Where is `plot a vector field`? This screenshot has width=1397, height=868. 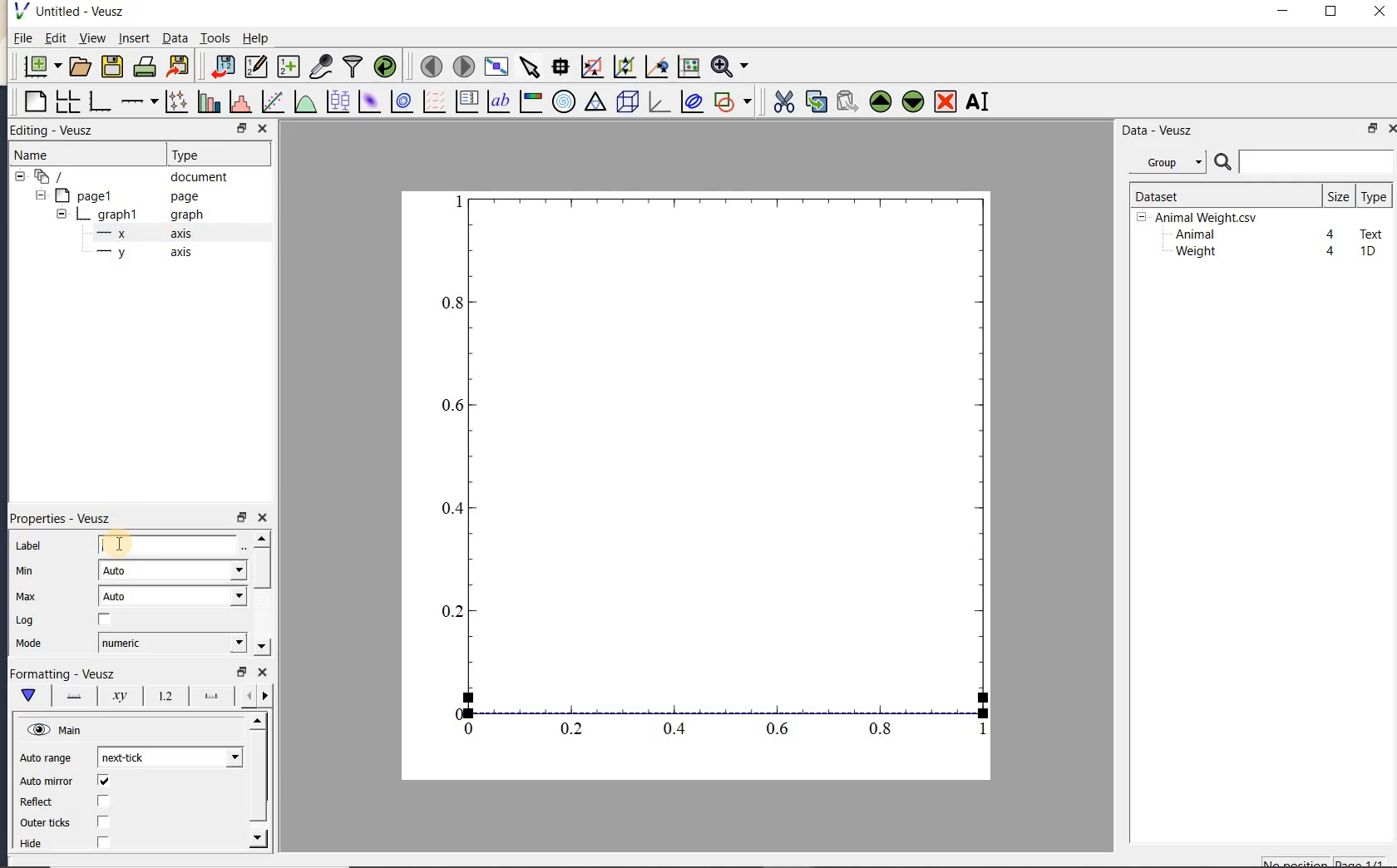 plot a vector field is located at coordinates (432, 102).